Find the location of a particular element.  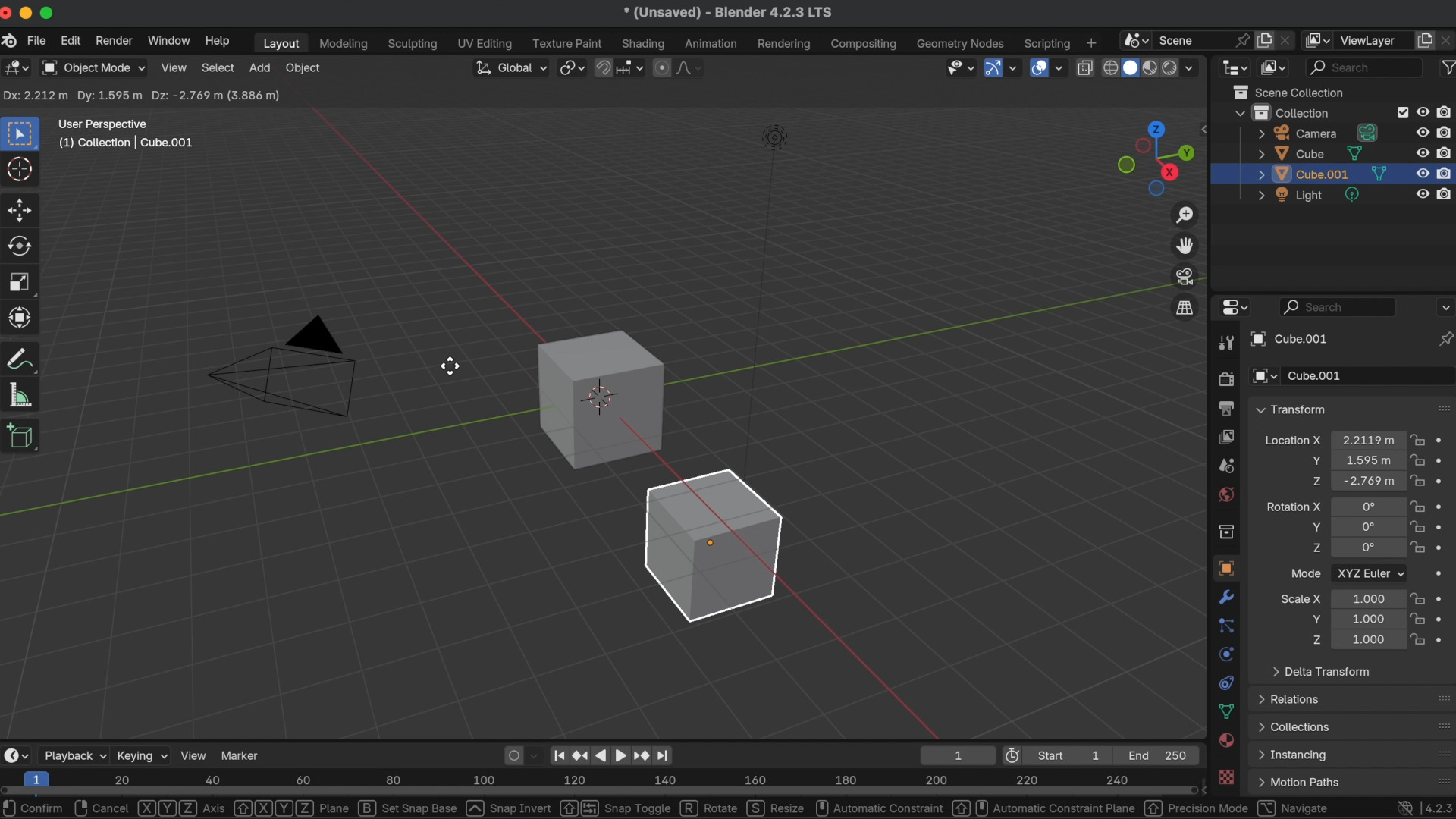

snapping is located at coordinates (632, 67).